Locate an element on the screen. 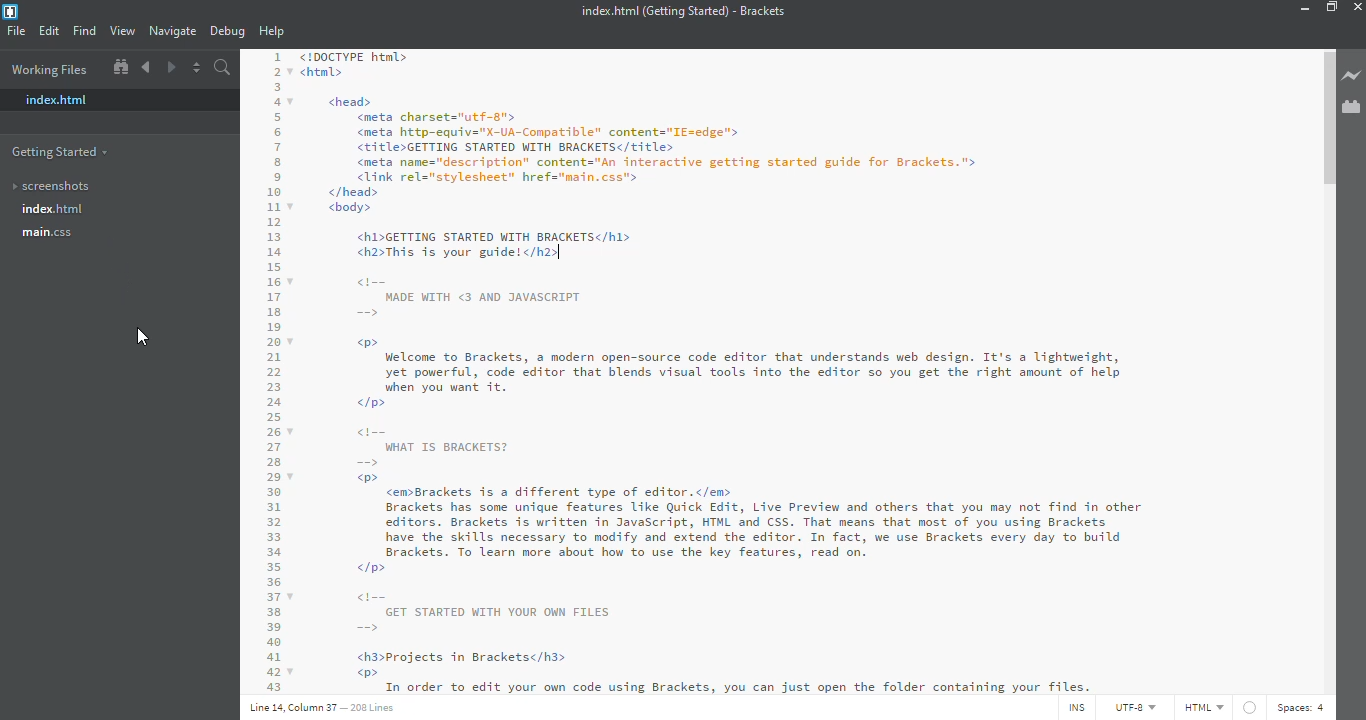 This screenshot has height=720, width=1366. minimize is located at coordinates (1303, 10).